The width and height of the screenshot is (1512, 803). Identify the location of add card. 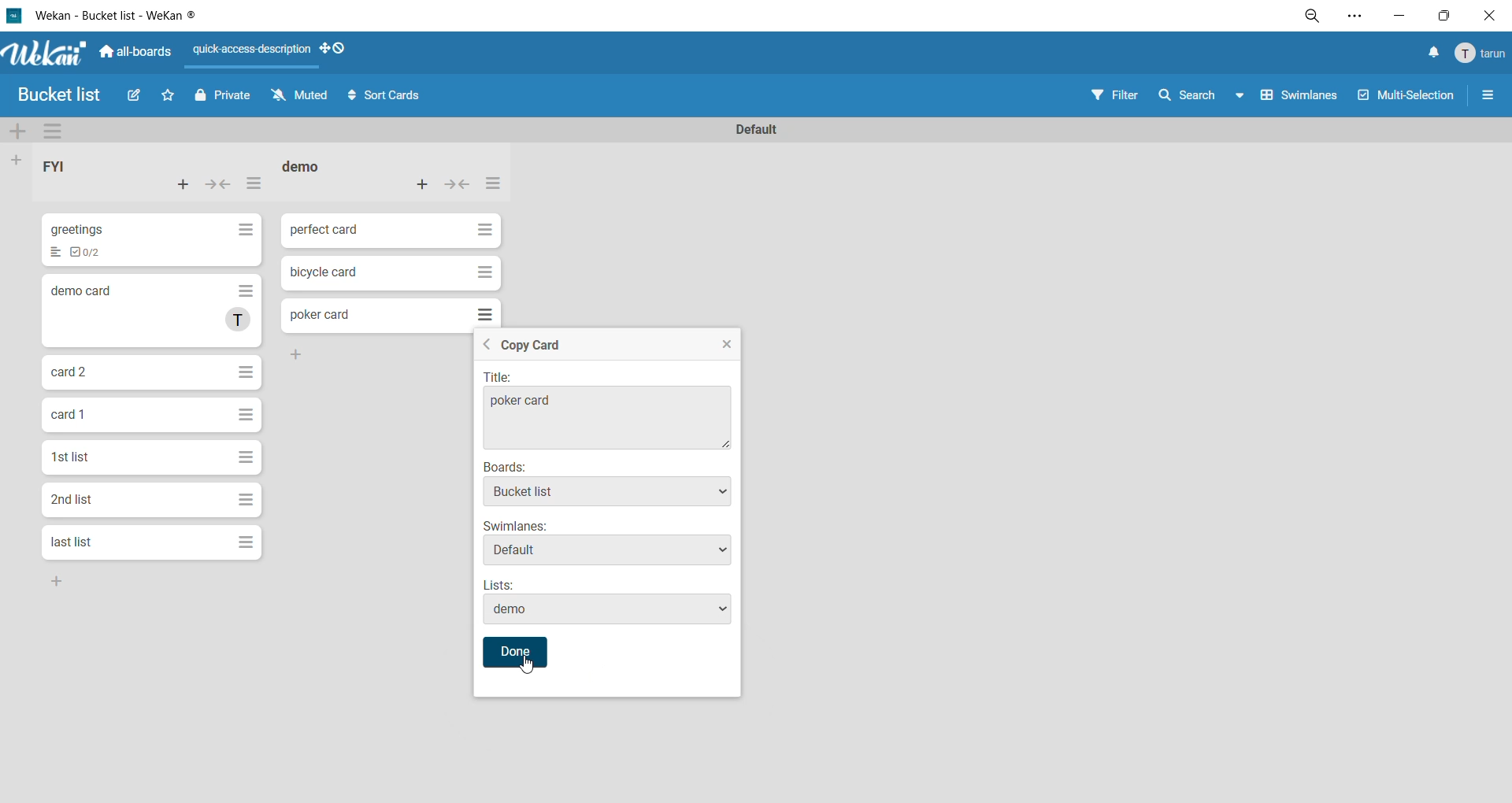
(183, 187).